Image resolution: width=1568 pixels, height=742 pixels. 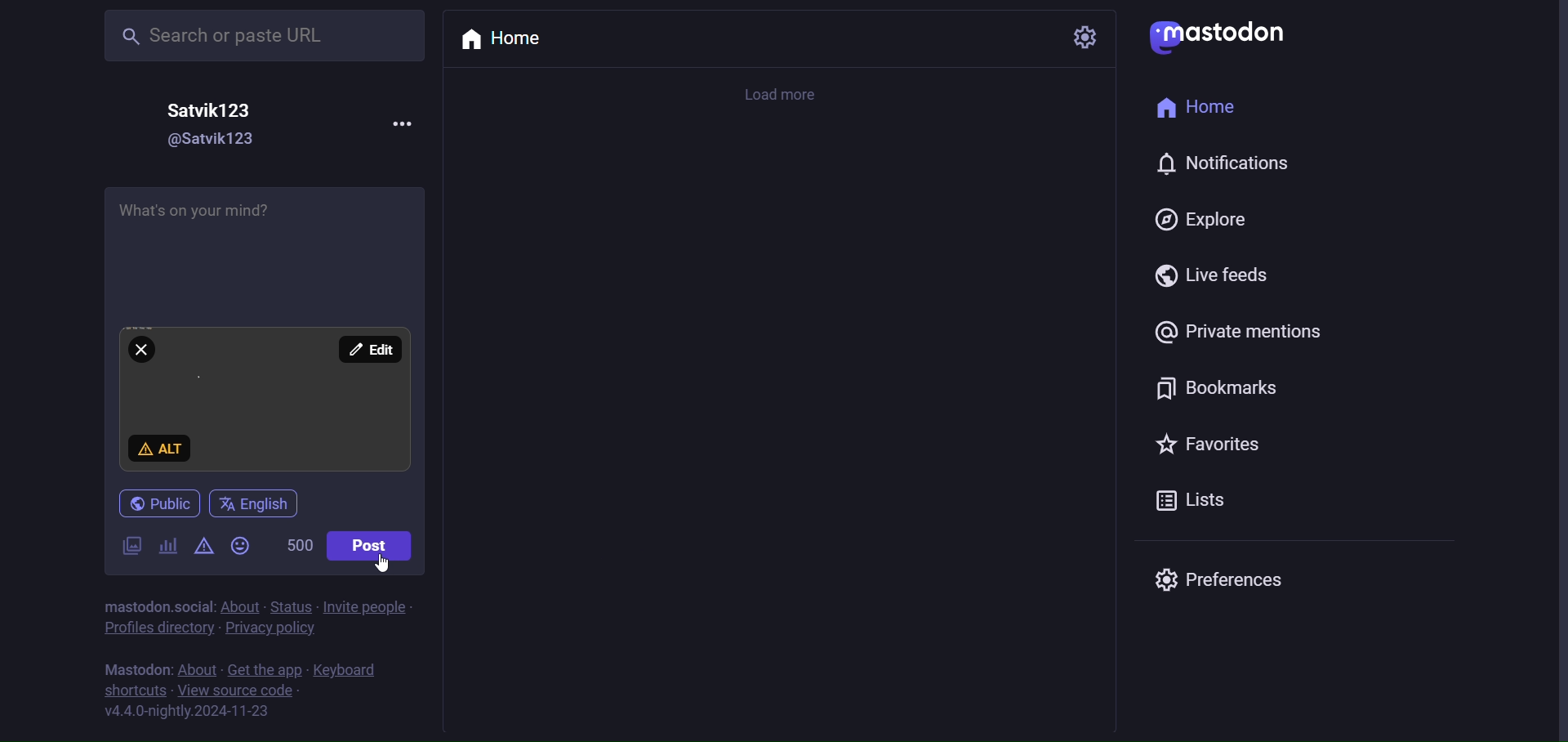 What do you see at coordinates (167, 541) in the screenshot?
I see `poll` at bounding box center [167, 541].